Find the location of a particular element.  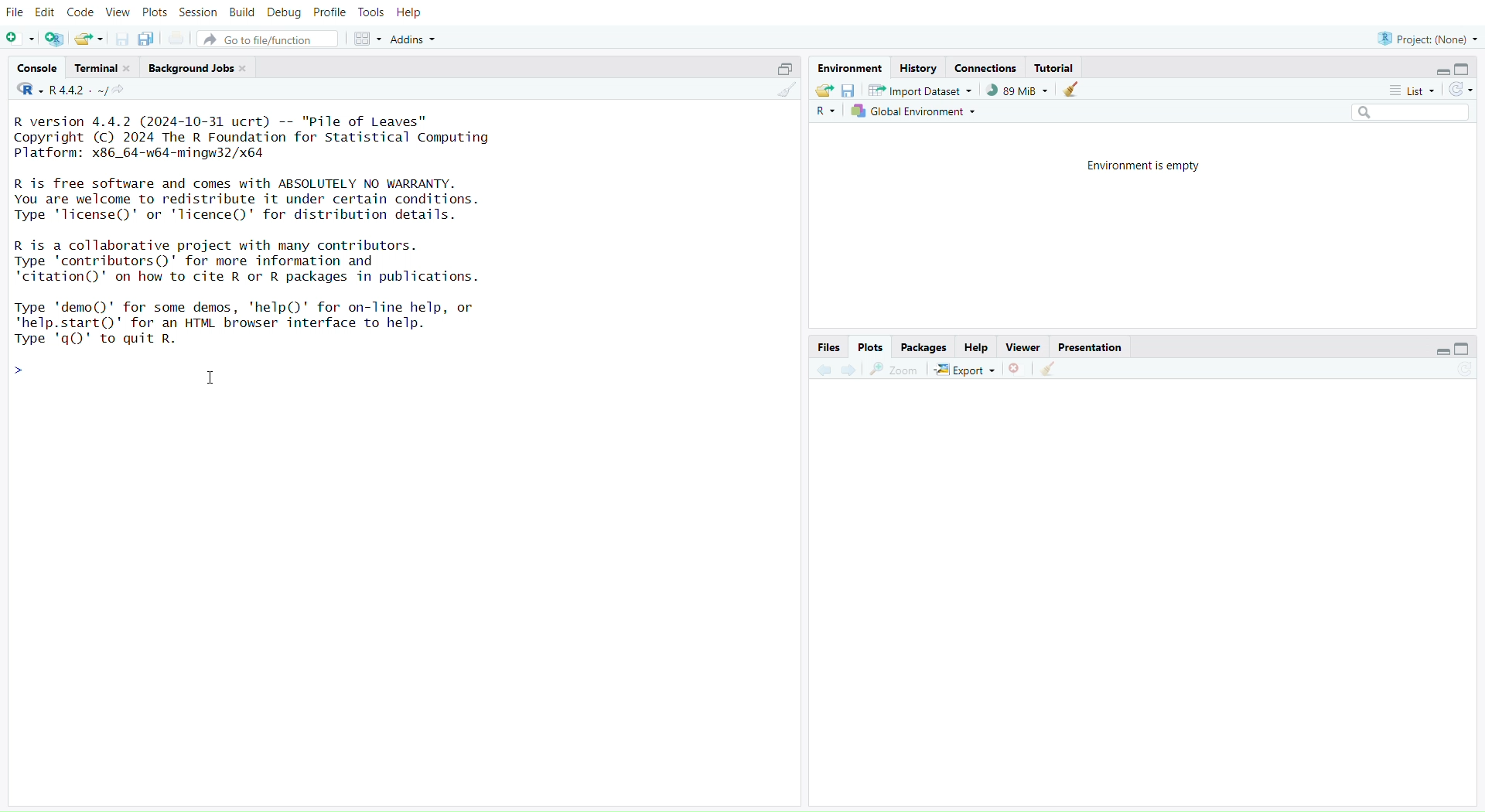

Help is located at coordinates (417, 15).